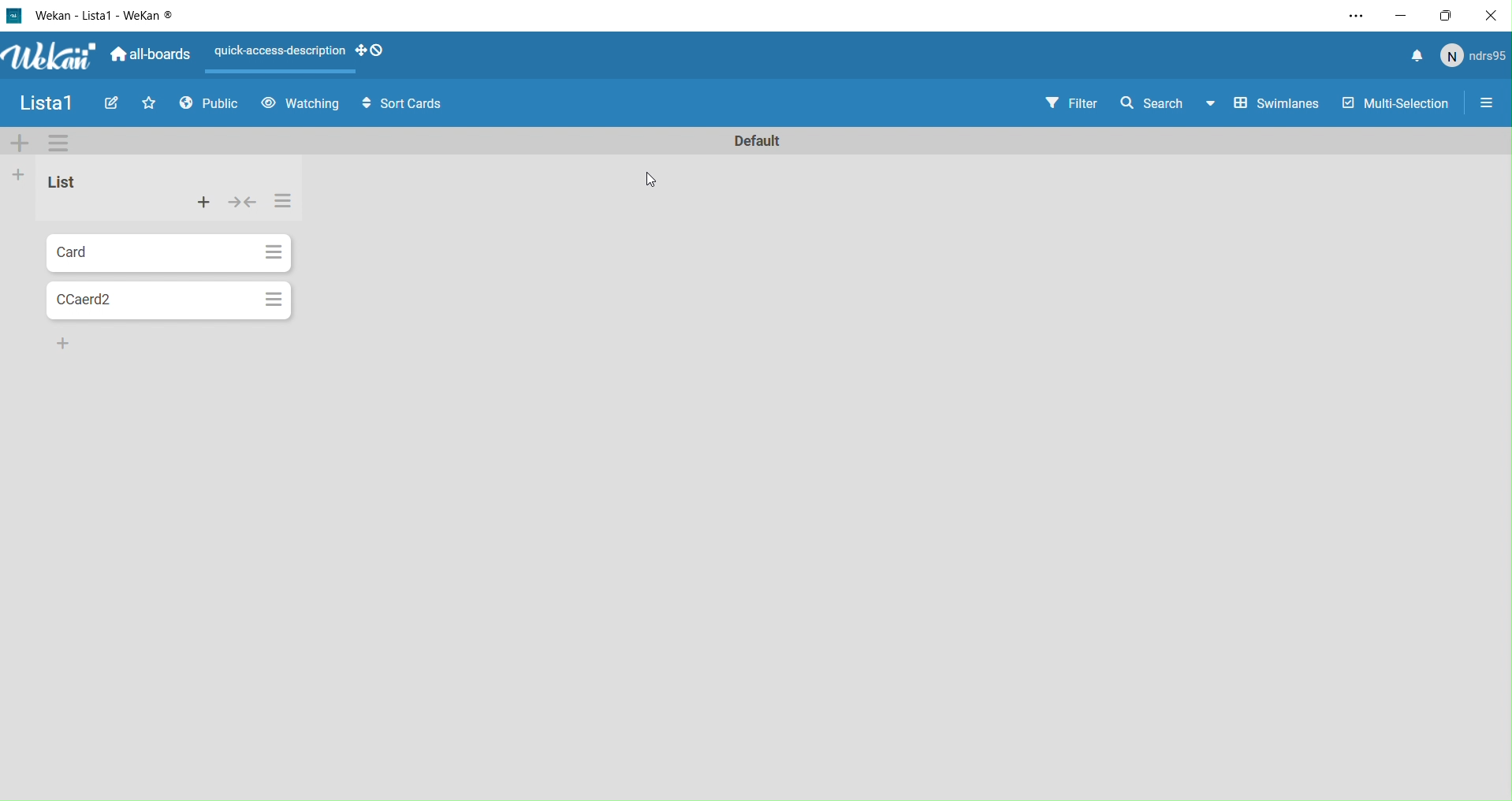  Describe the element at coordinates (272, 299) in the screenshot. I see `Options` at that location.